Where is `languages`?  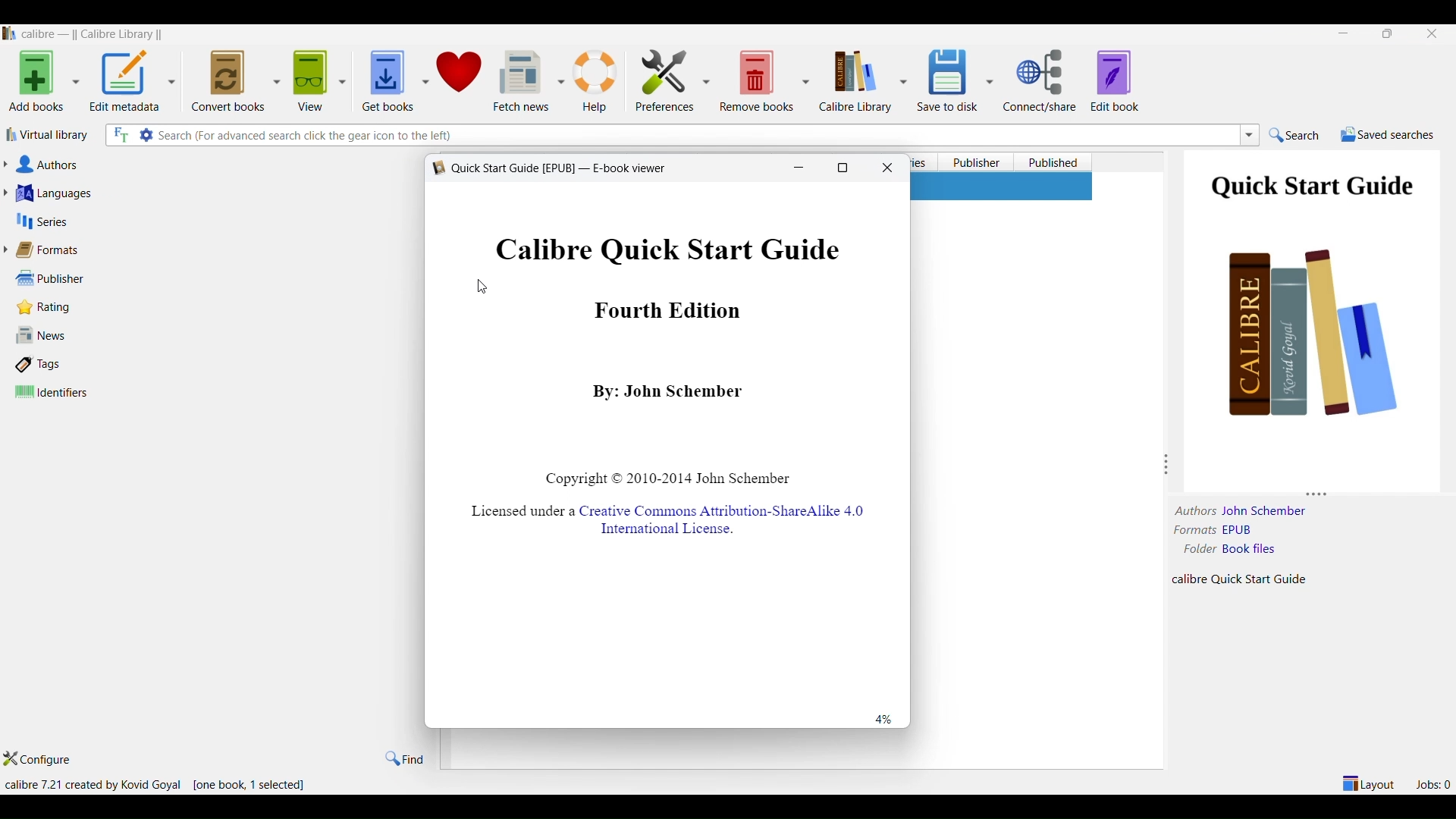 languages is located at coordinates (209, 191).